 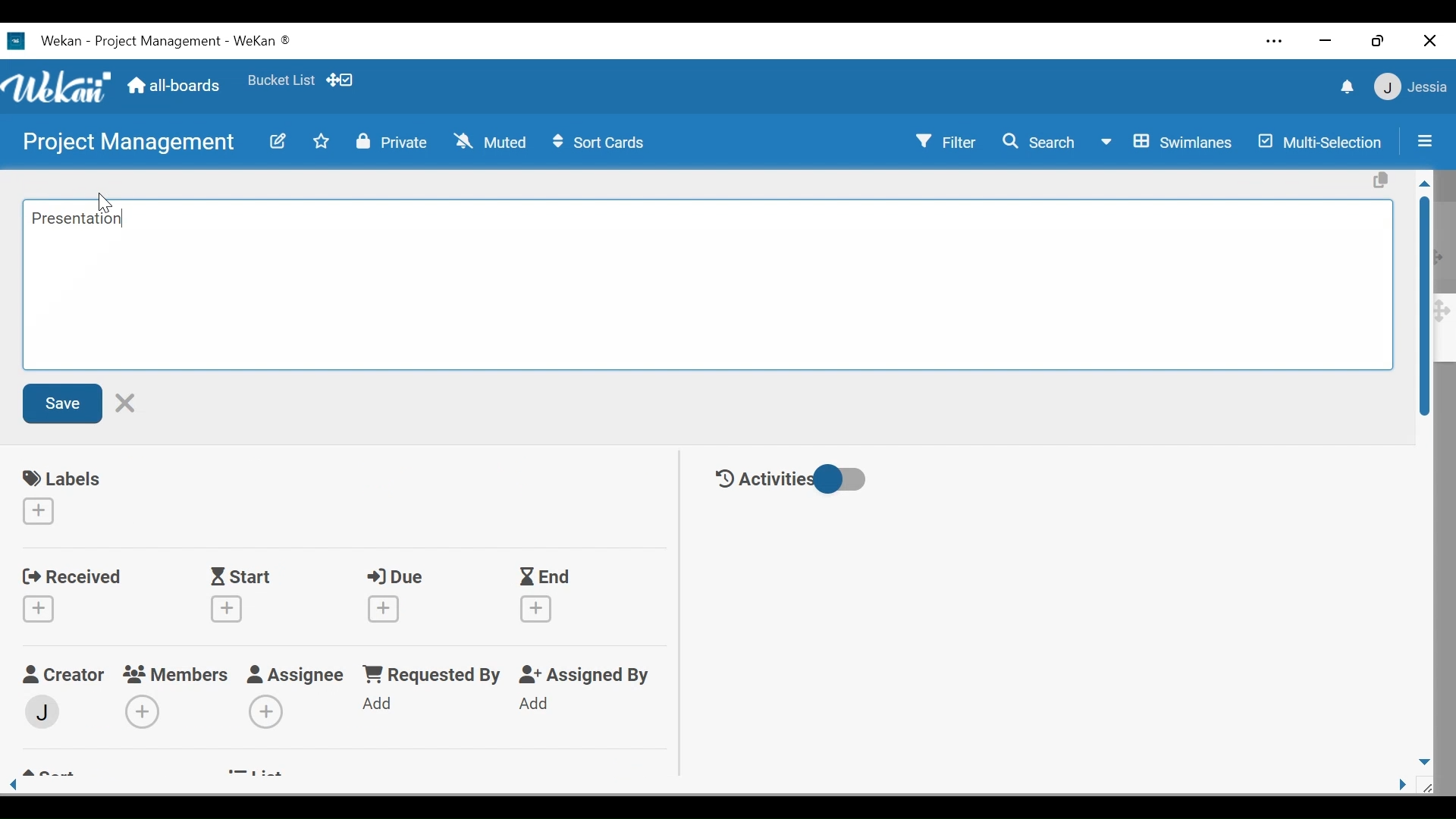 I want to click on Cancel, so click(x=125, y=403).